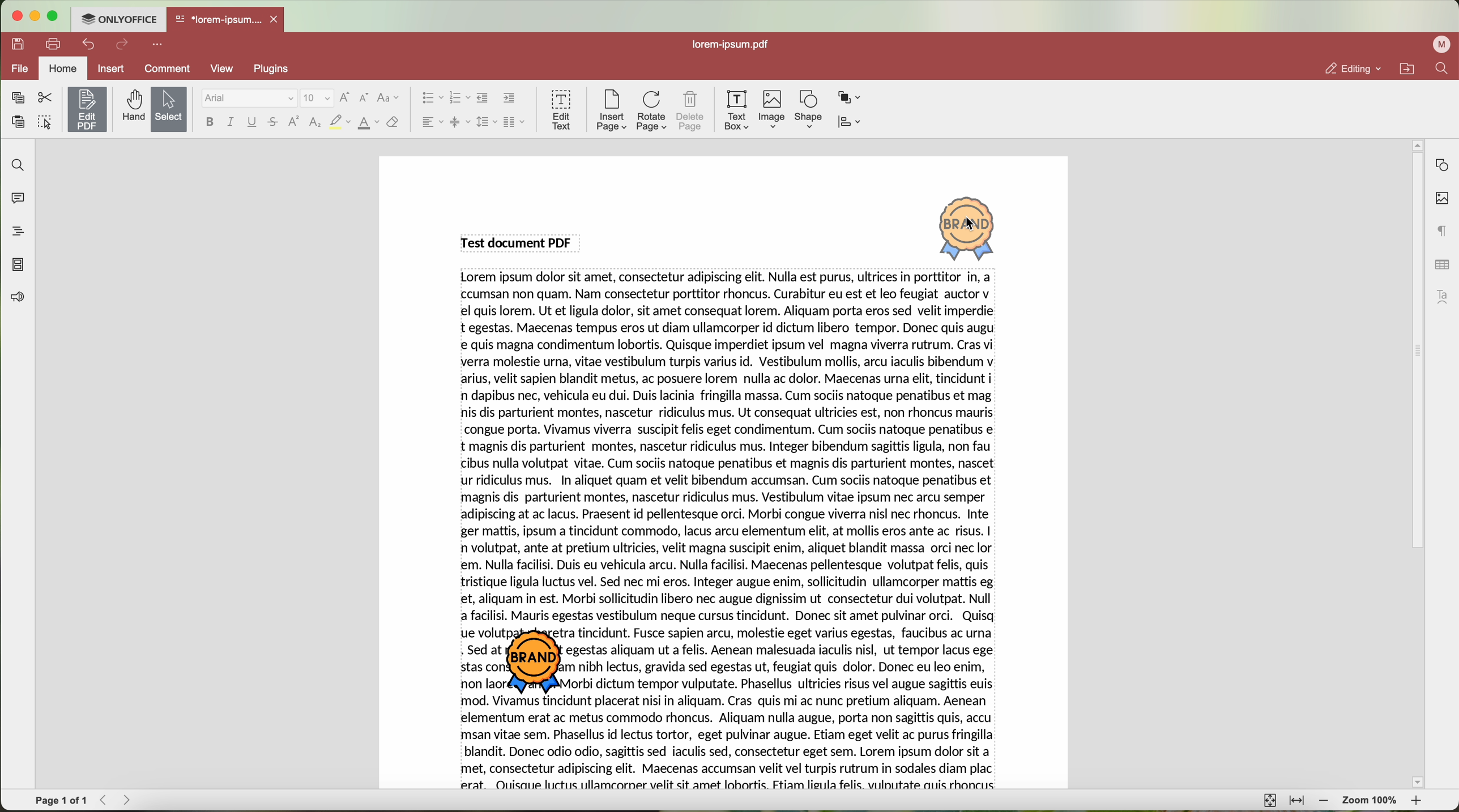  What do you see at coordinates (459, 122) in the screenshot?
I see `vertical align` at bounding box center [459, 122].